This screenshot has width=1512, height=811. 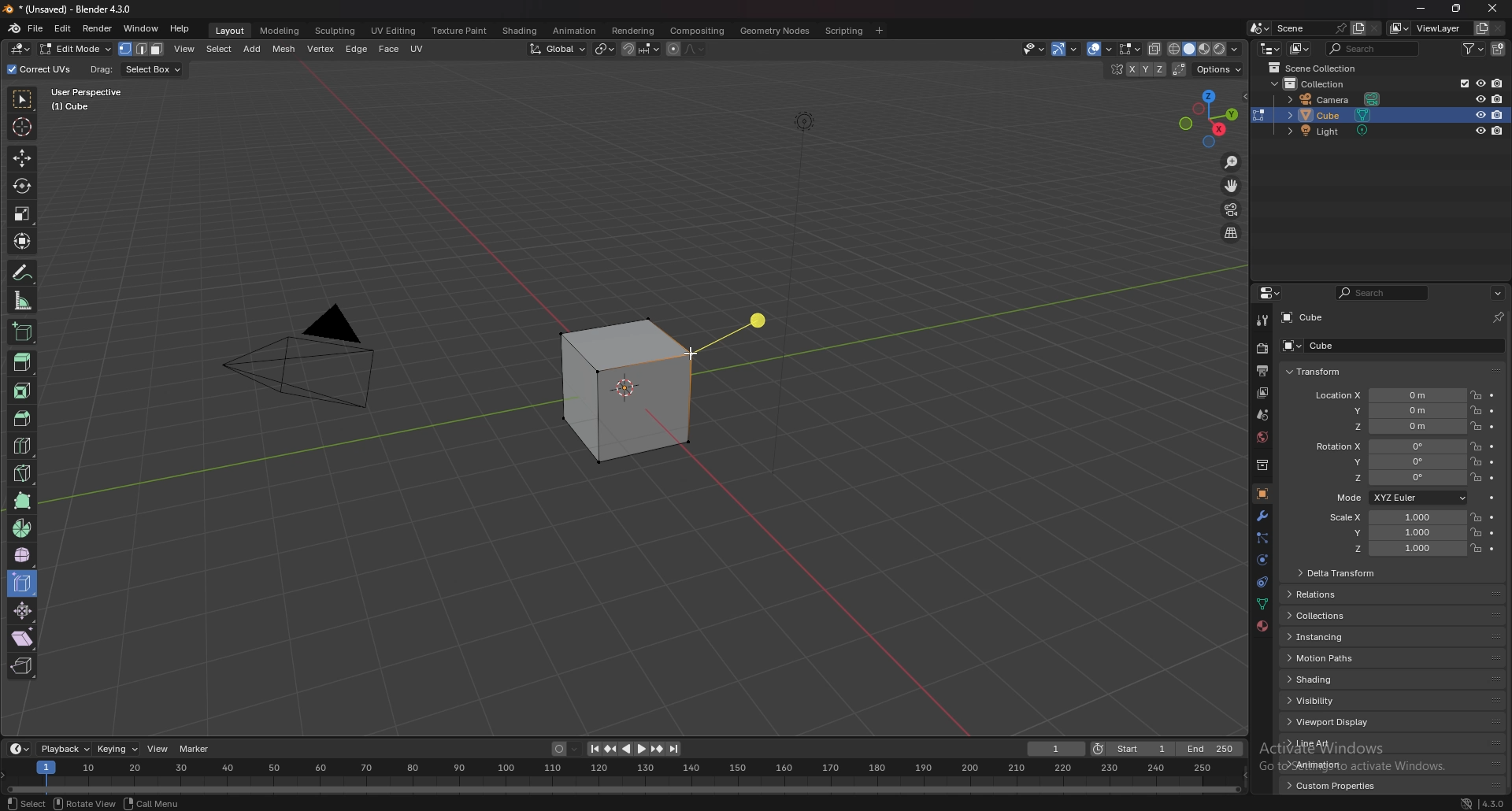 What do you see at coordinates (220, 50) in the screenshot?
I see `select` at bounding box center [220, 50].